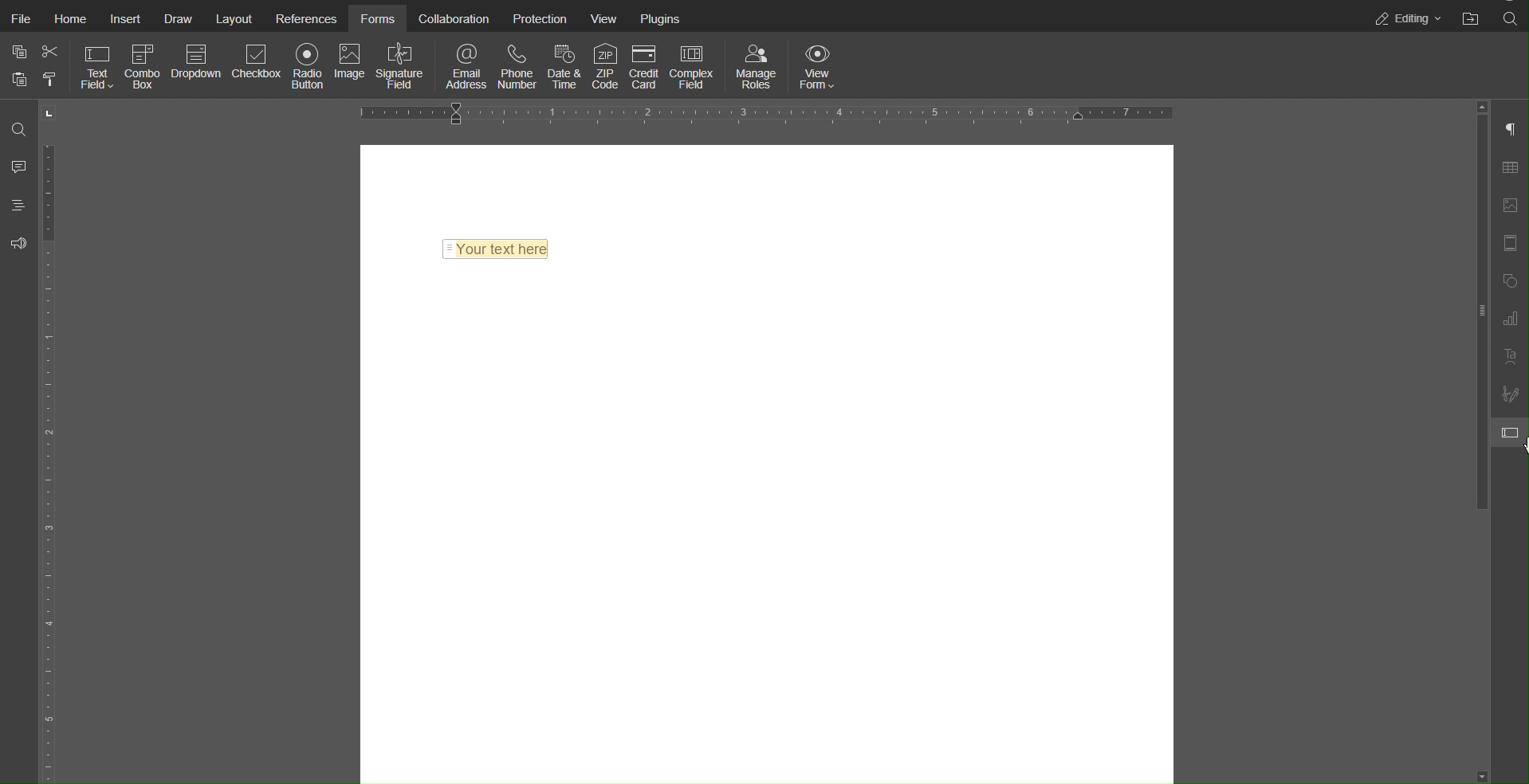  Describe the element at coordinates (1508, 282) in the screenshot. I see `Shape Settings` at that location.